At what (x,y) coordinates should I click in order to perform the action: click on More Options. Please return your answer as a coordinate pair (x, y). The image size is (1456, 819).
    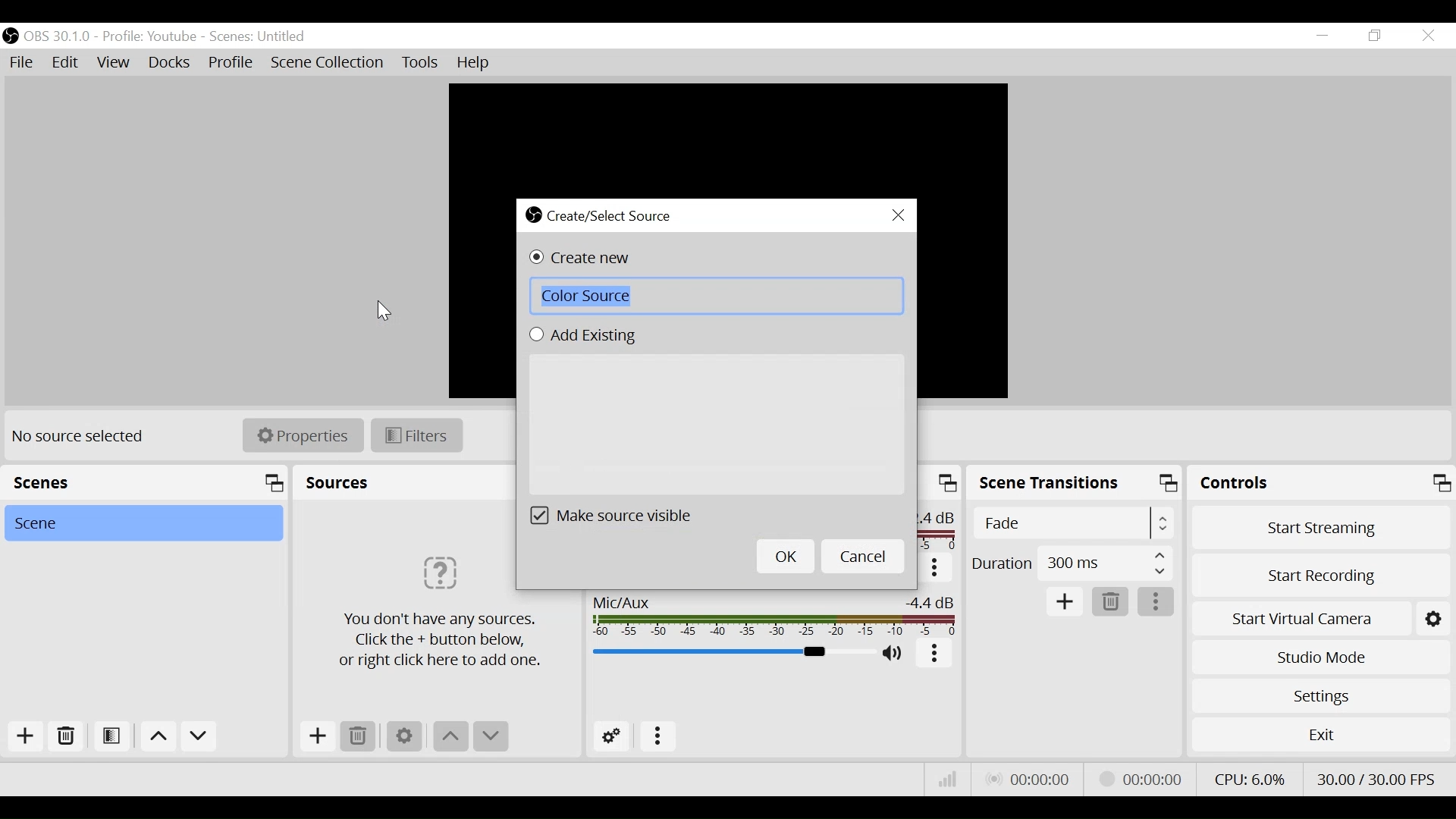
    Looking at the image, I should click on (662, 734).